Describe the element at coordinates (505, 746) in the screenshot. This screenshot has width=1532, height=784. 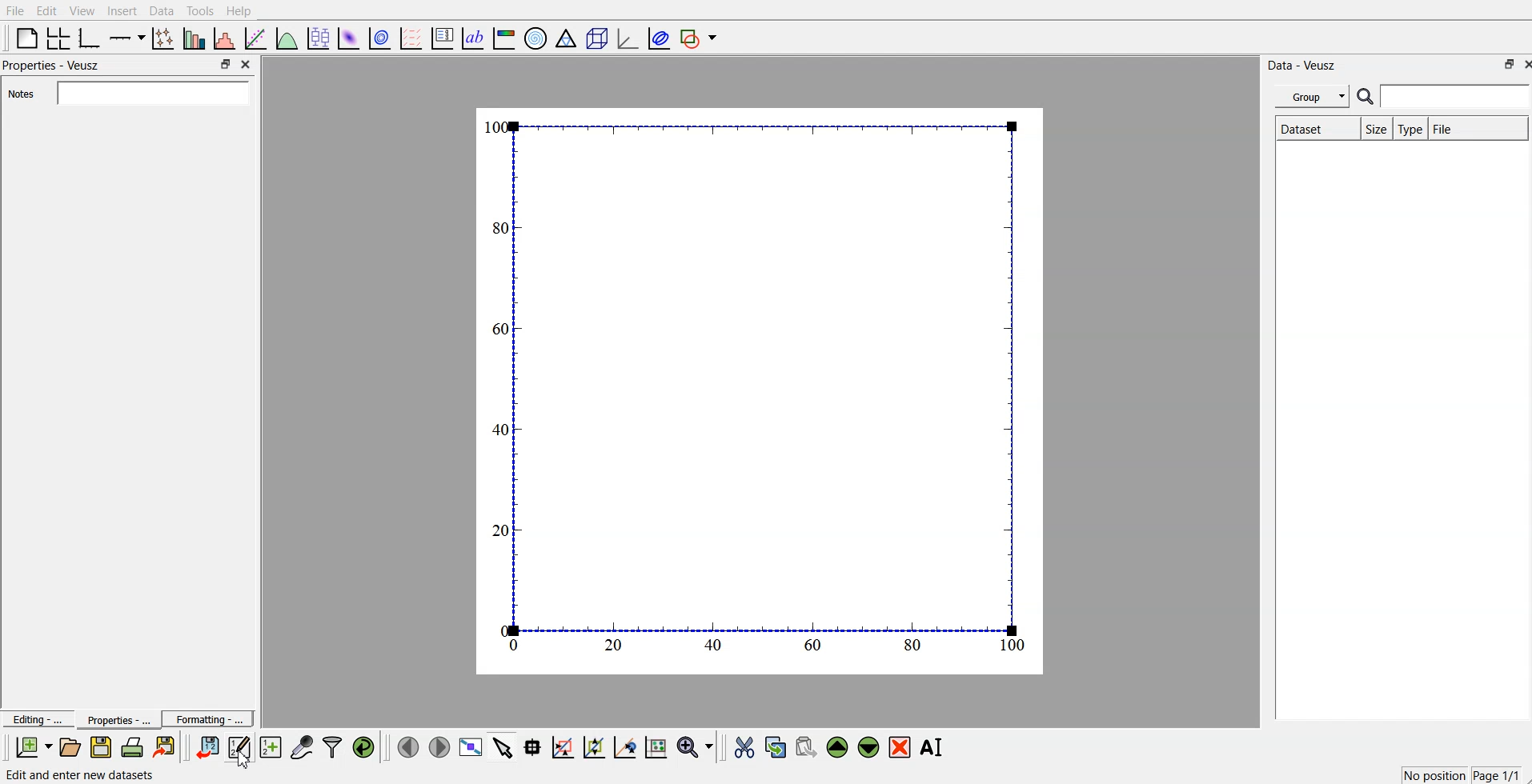
I see `select items from the graph` at that location.